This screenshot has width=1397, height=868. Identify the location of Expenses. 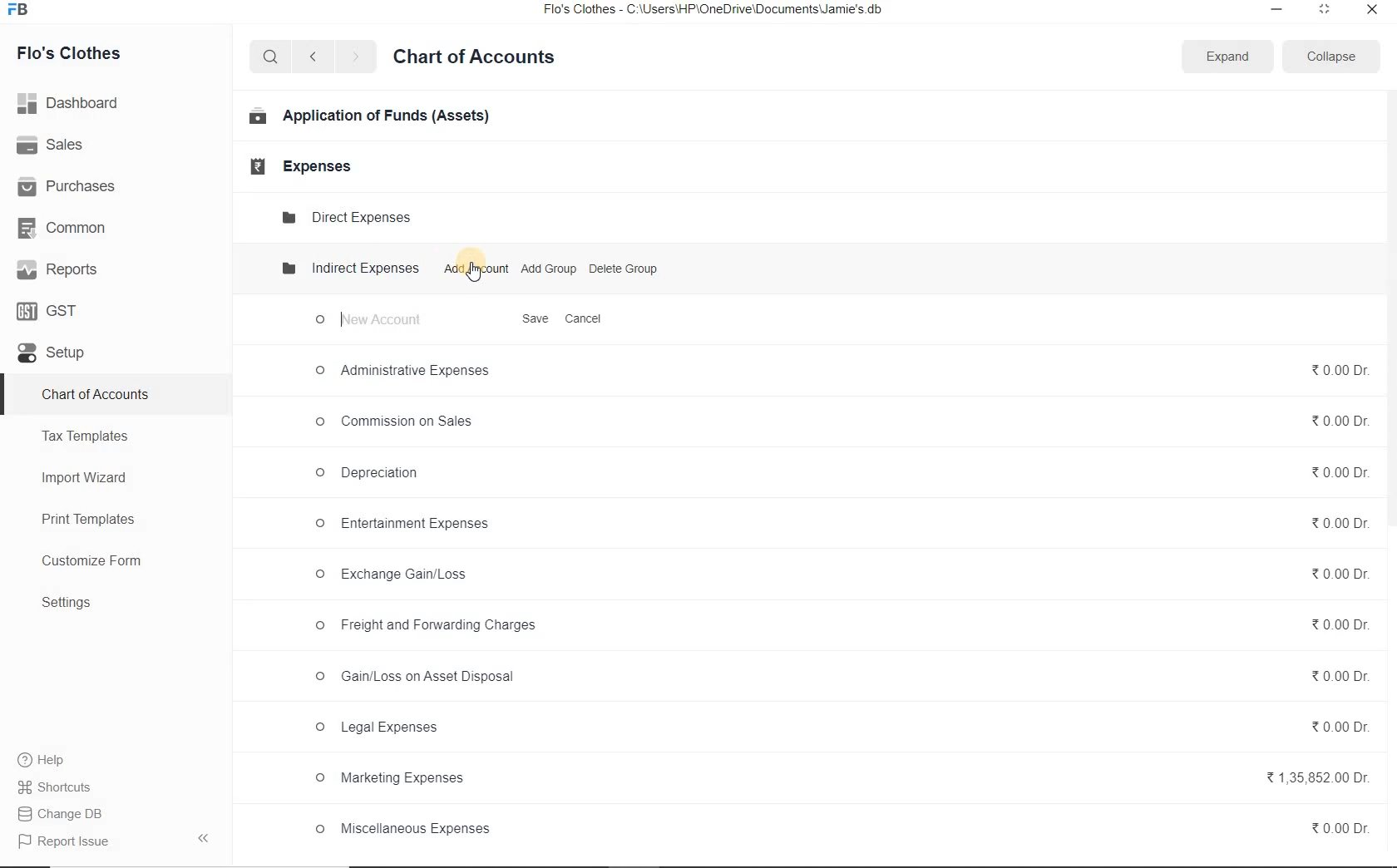
(295, 166).